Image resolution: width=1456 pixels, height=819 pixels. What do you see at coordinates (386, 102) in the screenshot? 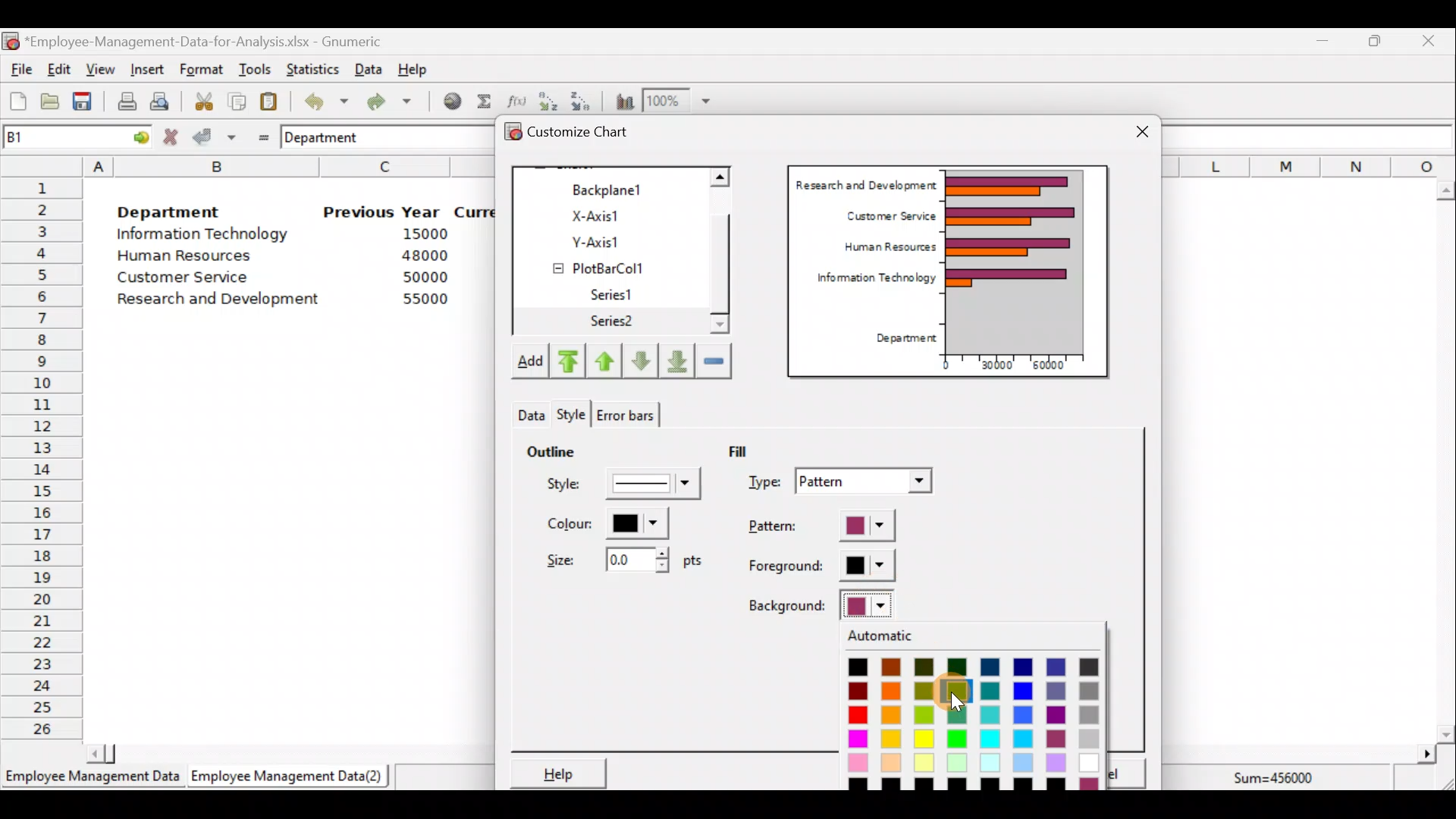
I see `Redo undone action` at bounding box center [386, 102].